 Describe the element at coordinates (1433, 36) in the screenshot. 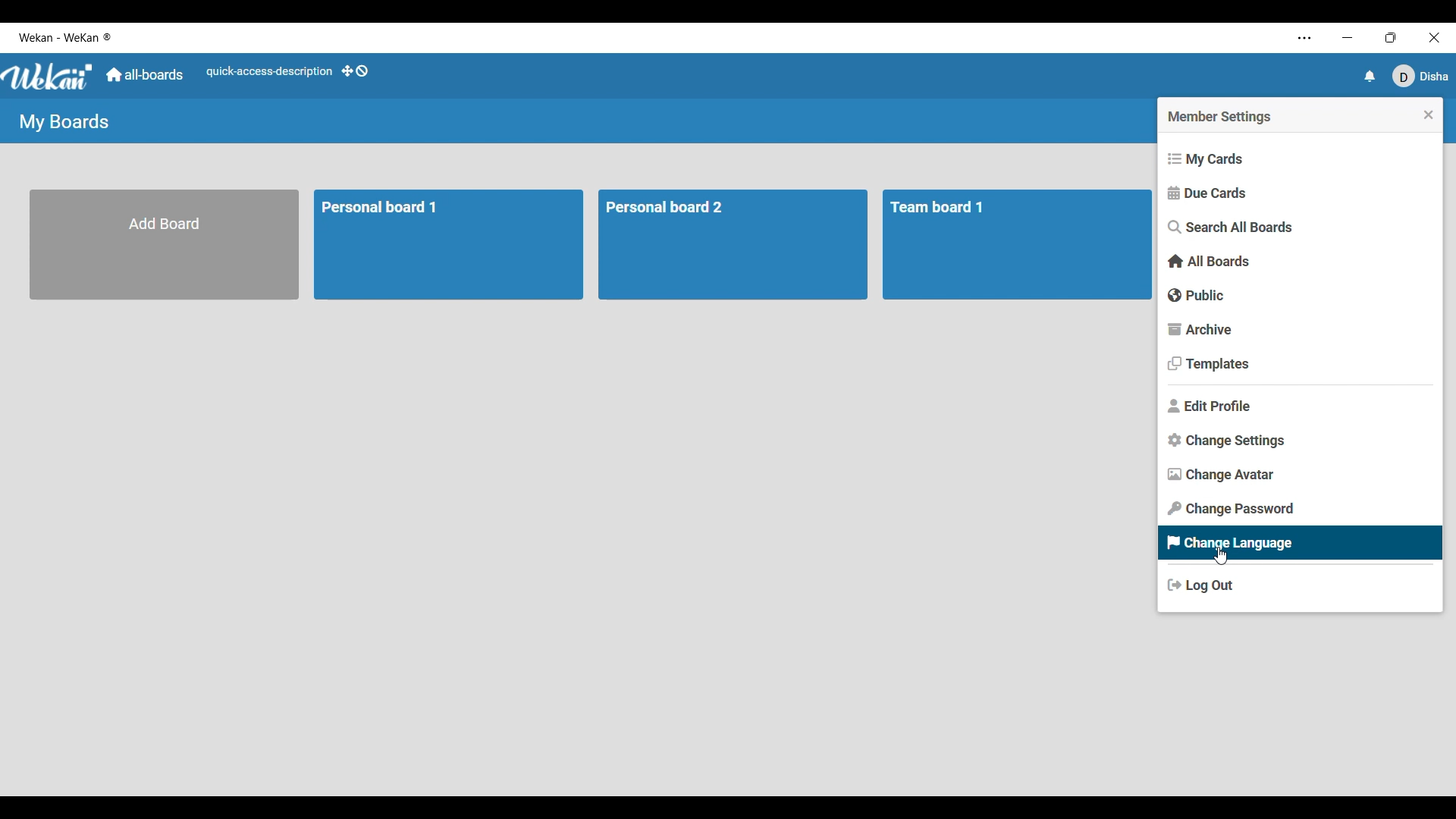

I see `Close` at that location.